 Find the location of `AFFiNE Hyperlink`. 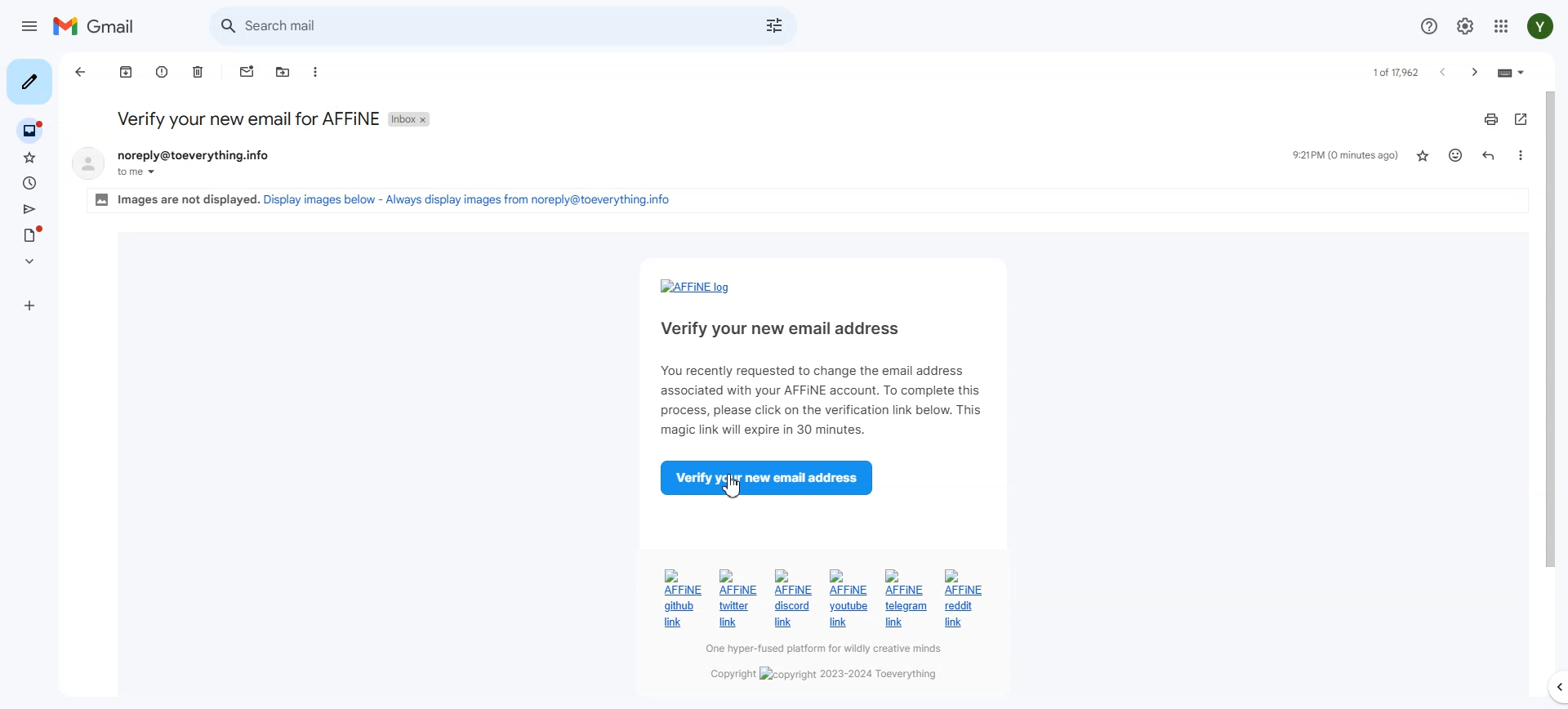

AFFiNE Hyperlink is located at coordinates (697, 288).